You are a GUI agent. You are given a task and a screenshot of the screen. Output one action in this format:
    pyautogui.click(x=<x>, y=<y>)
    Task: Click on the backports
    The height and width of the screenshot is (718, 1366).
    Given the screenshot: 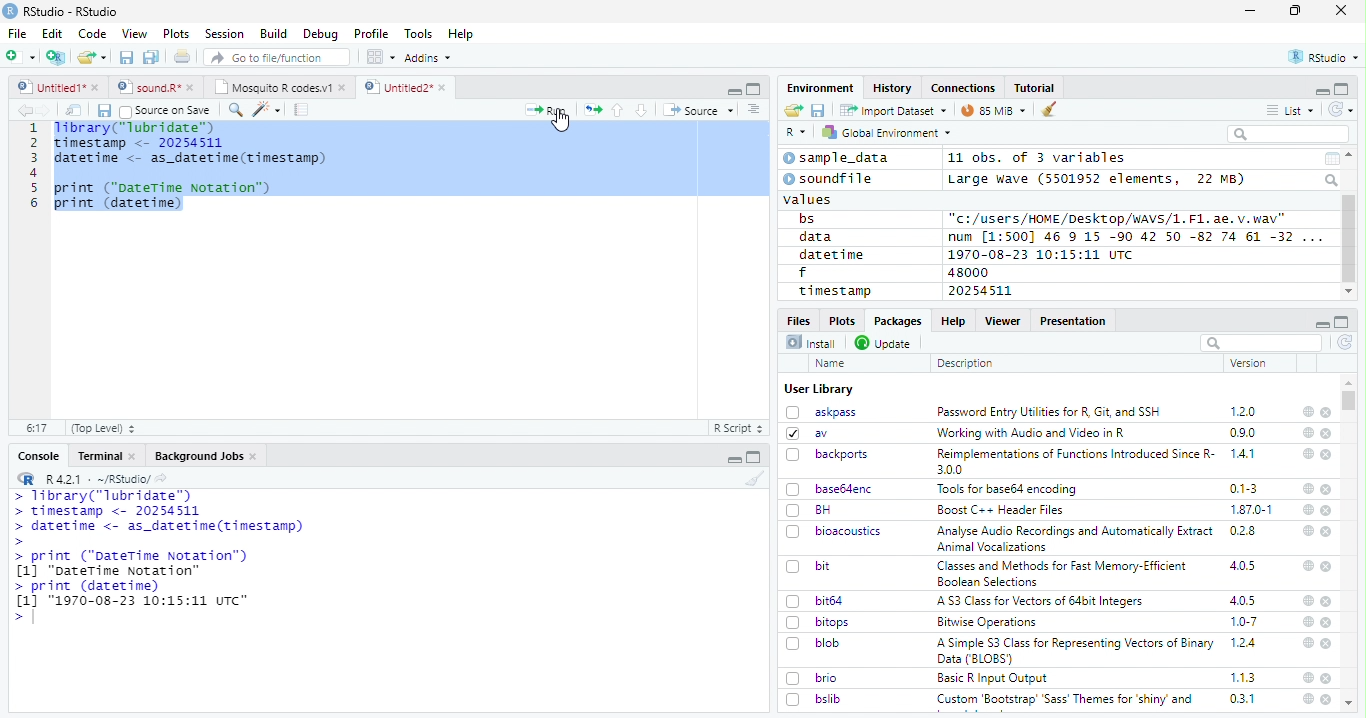 What is the action you would take?
    pyautogui.click(x=830, y=455)
    